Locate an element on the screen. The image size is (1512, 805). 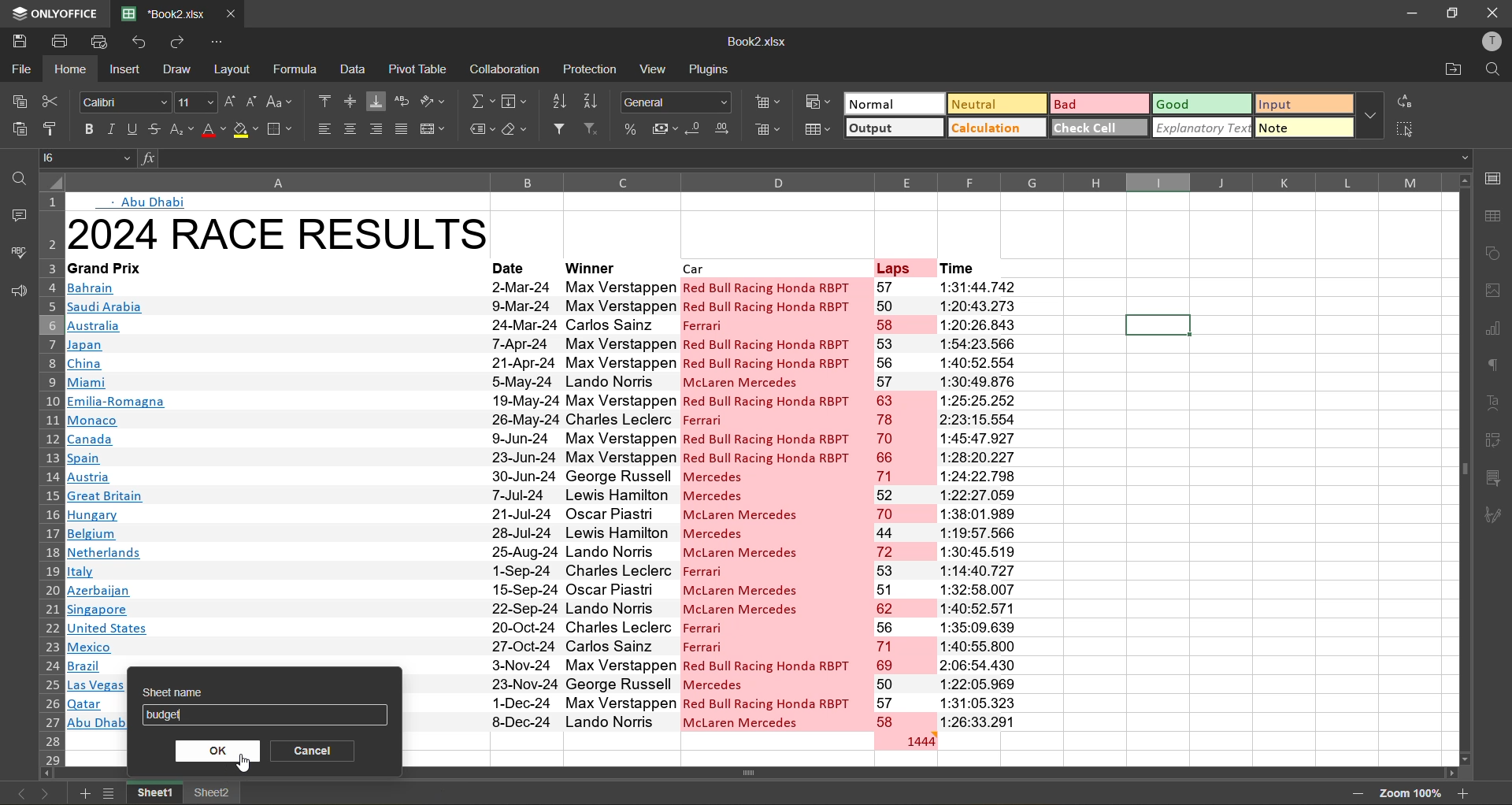
numbers is located at coordinates (903, 503).